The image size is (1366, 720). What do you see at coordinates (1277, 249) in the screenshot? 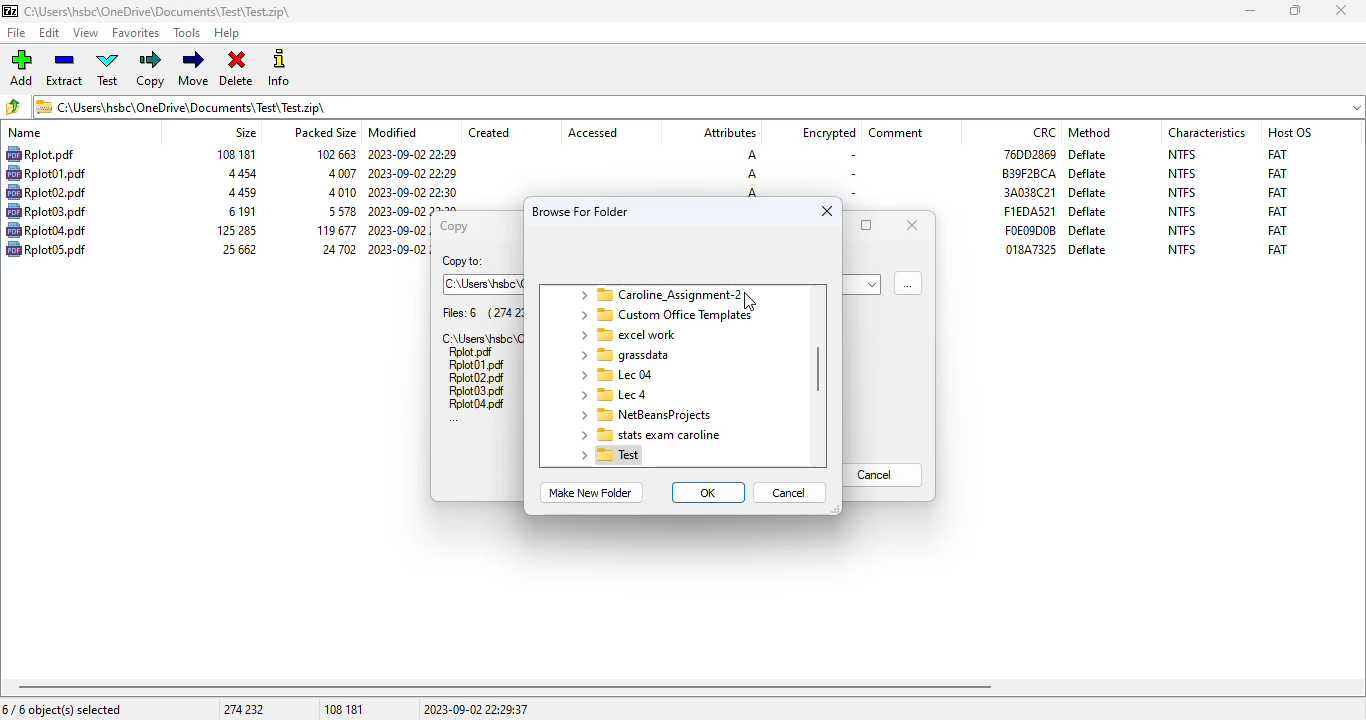
I see `FAT` at bounding box center [1277, 249].